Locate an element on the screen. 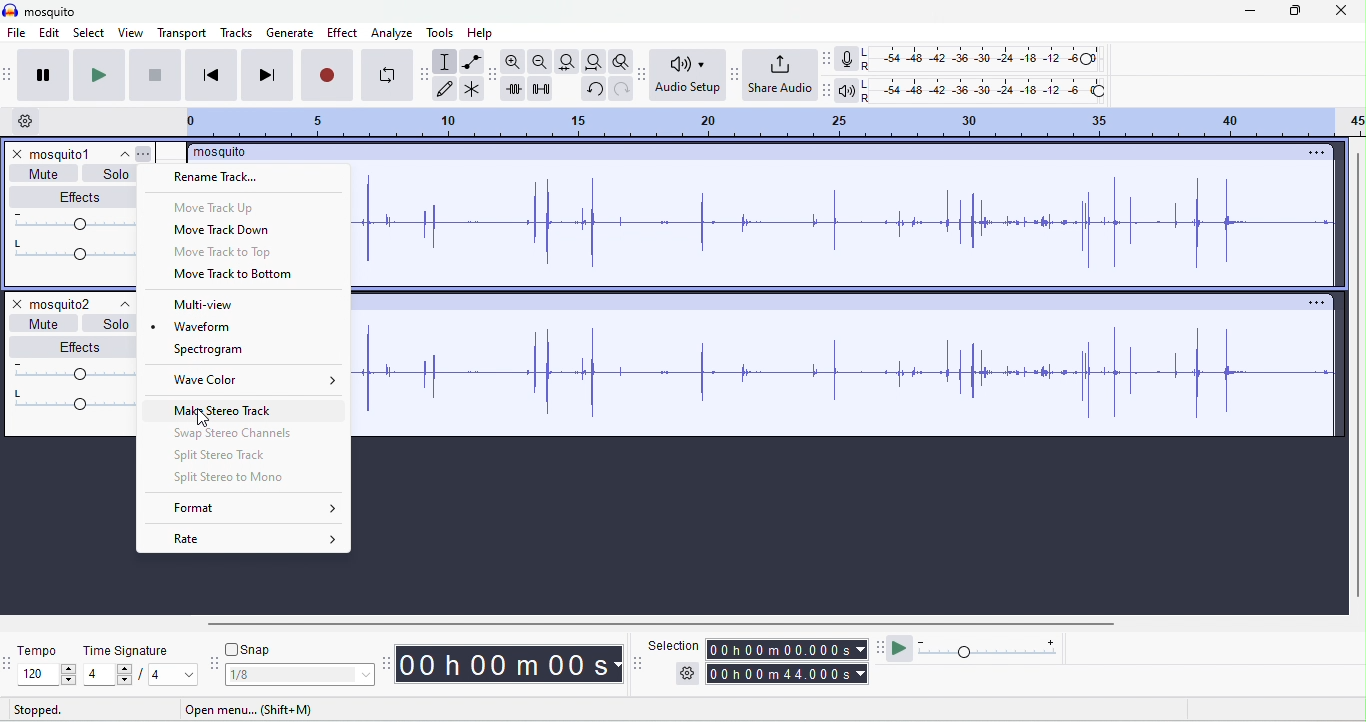 The image size is (1366, 722). selection time is located at coordinates (788, 649).